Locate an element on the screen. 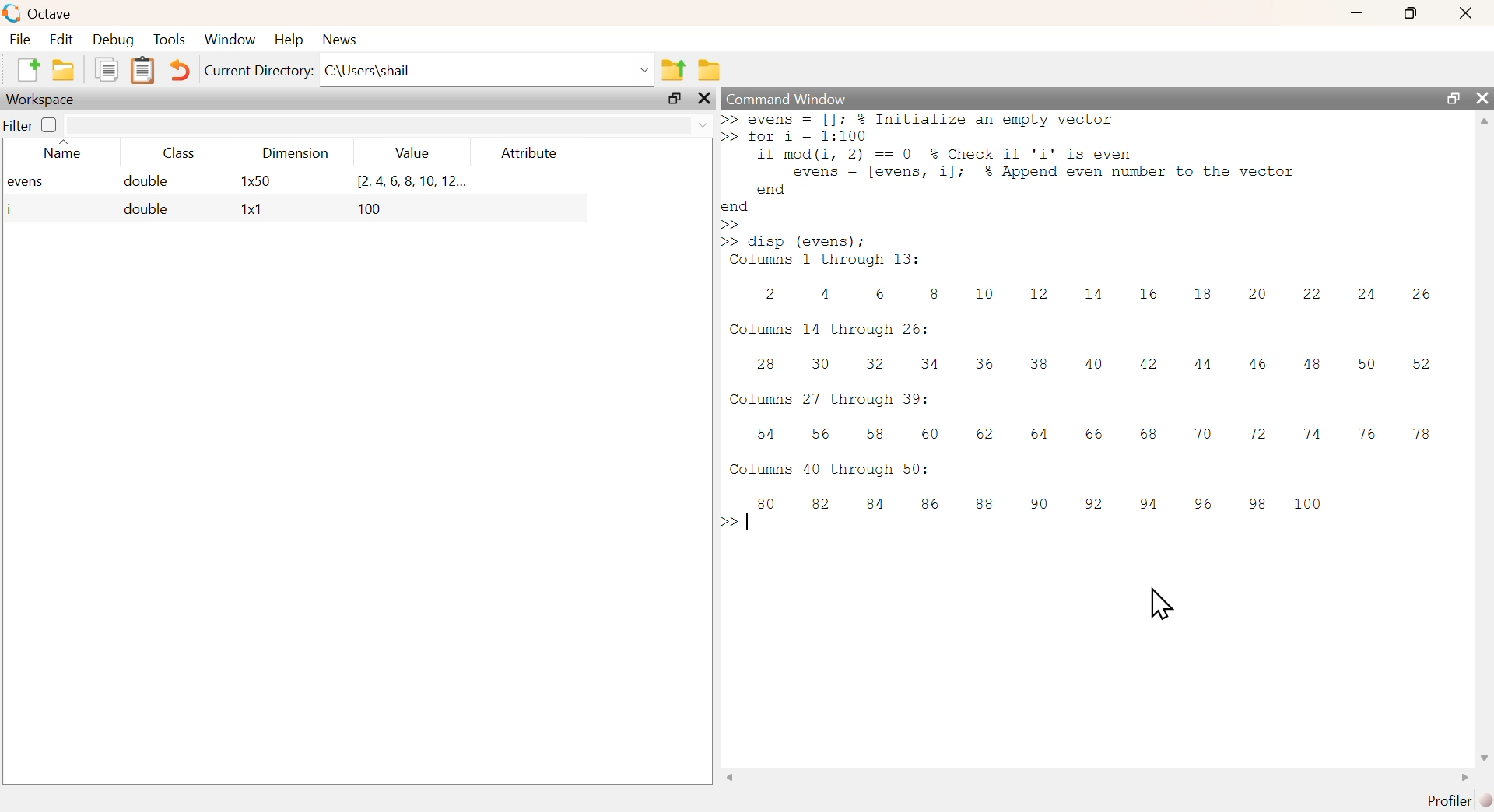 The height and width of the screenshot is (812, 1494). close is located at coordinates (704, 100).